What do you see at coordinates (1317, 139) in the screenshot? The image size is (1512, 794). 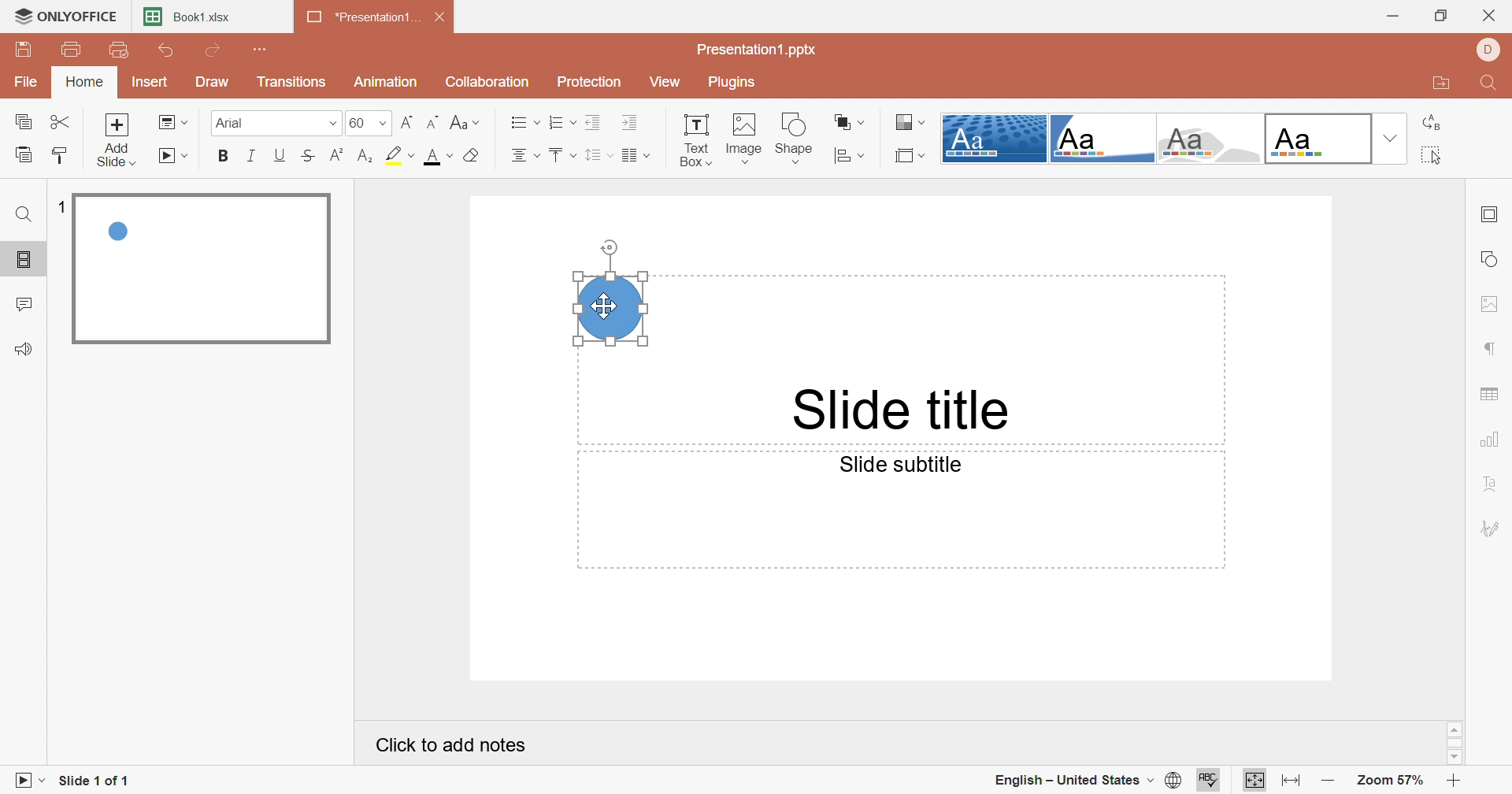 I see `Blank` at bounding box center [1317, 139].